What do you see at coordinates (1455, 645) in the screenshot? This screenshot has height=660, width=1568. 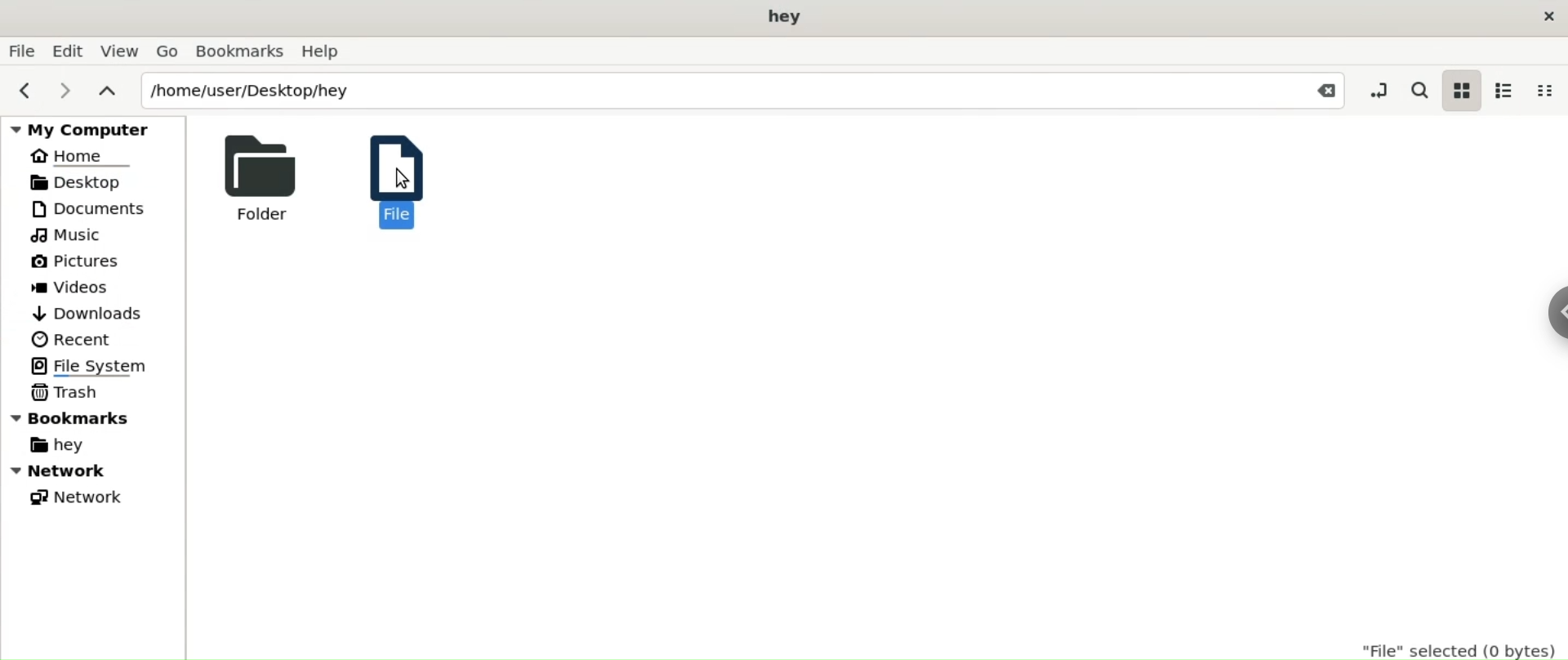 I see `"File" selected(0 bytes)` at bounding box center [1455, 645].